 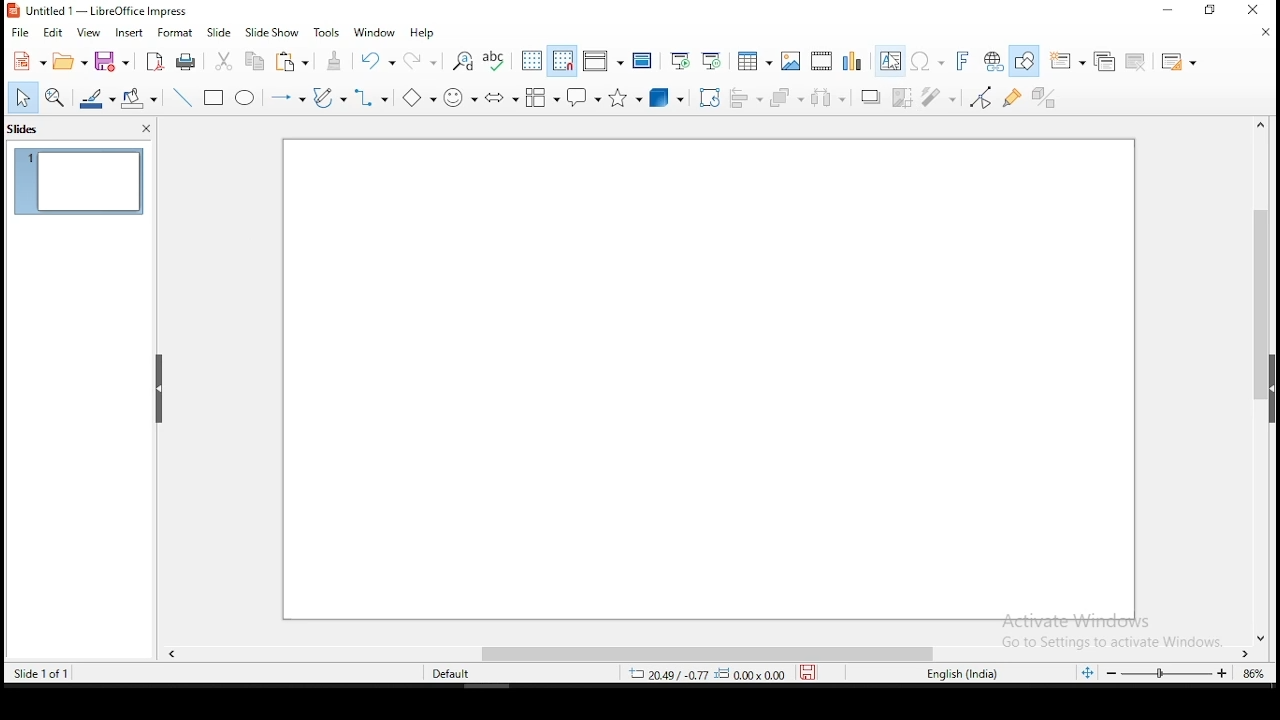 What do you see at coordinates (807, 671) in the screenshot?
I see `save` at bounding box center [807, 671].